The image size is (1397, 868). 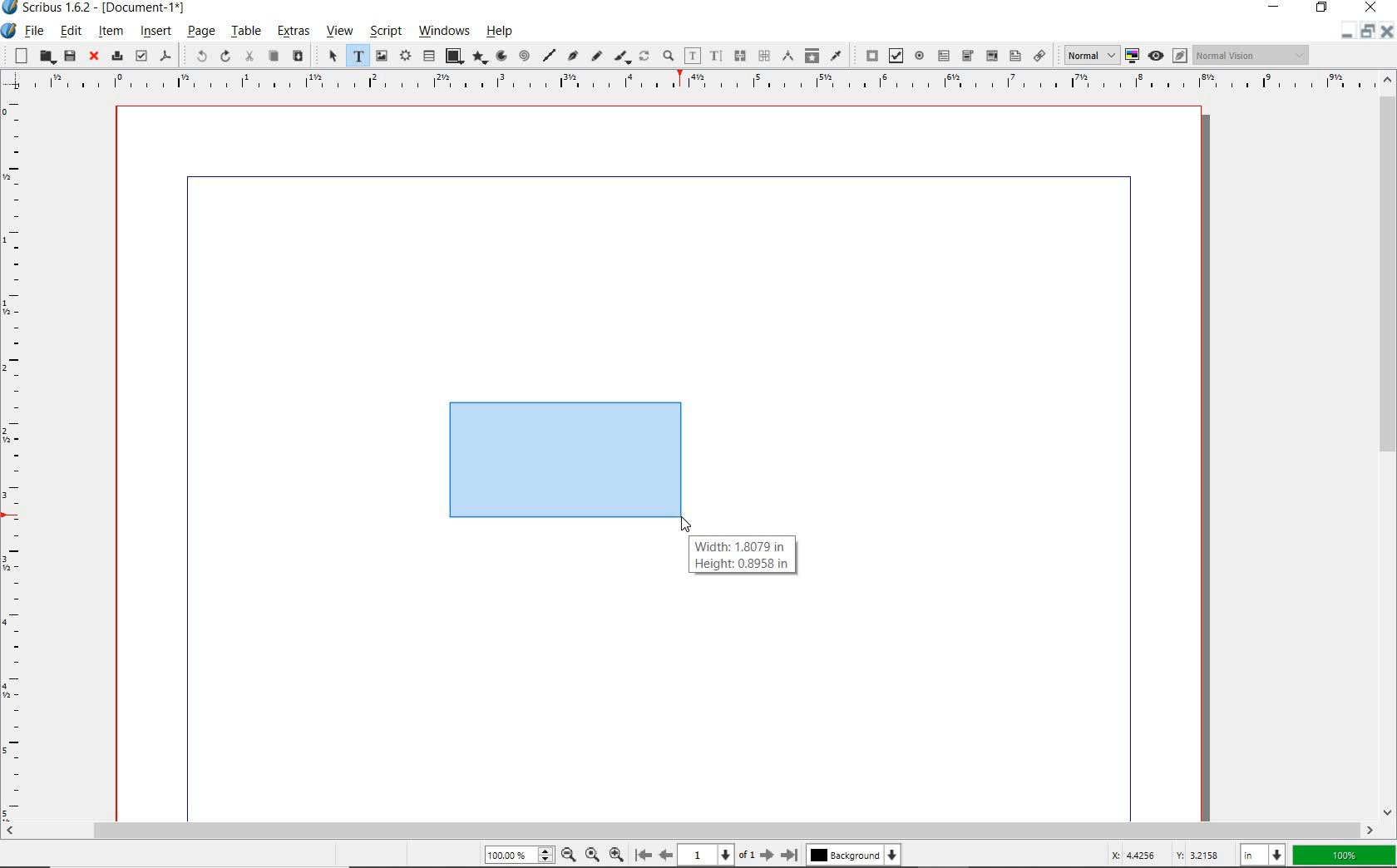 I want to click on Last Page, so click(x=791, y=855).